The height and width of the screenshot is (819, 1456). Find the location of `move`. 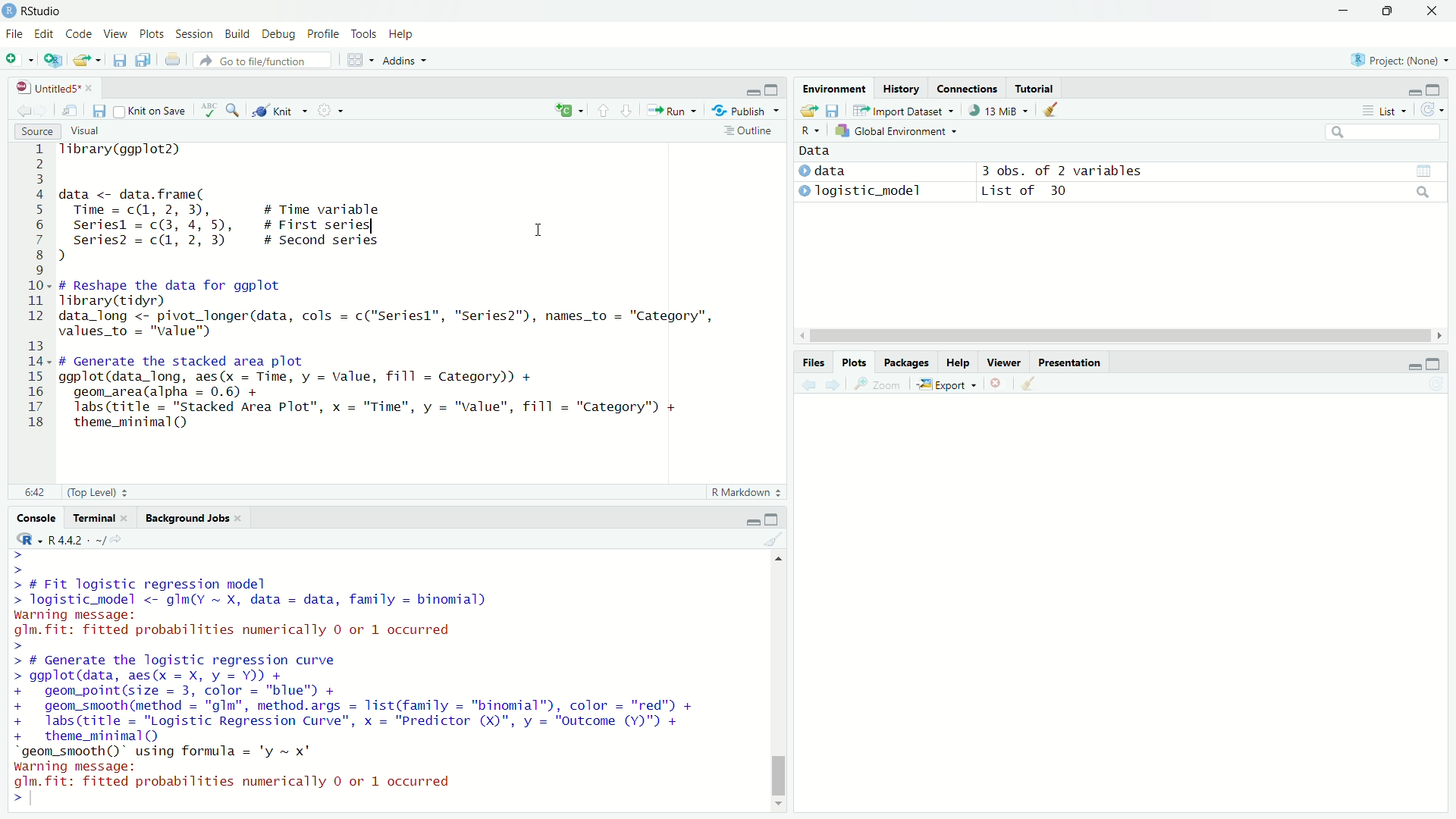

move is located at coordinates (861, 111).